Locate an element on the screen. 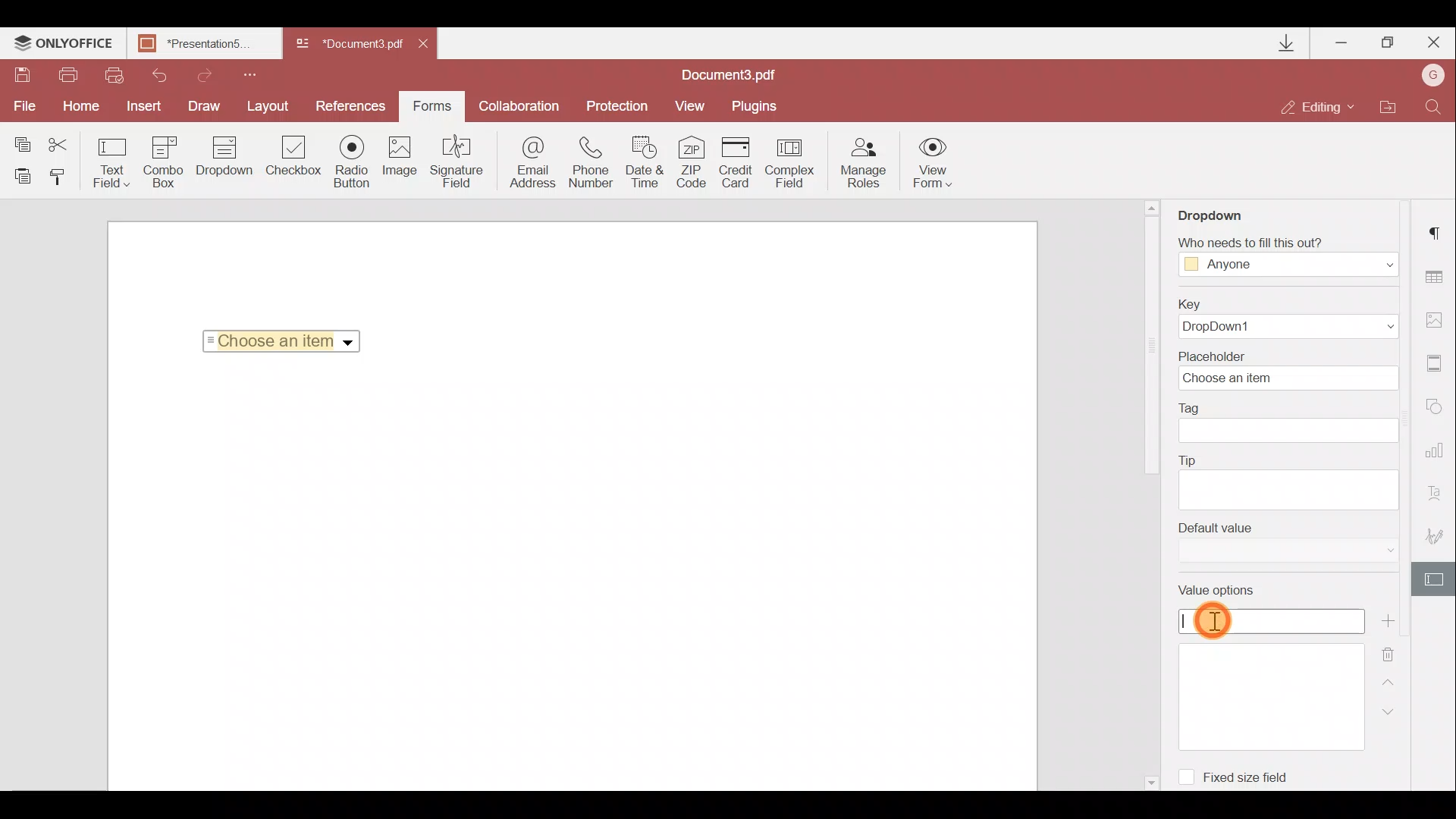 This screenshot has height=819, width=1456. Add new value is located at coordinates (1394, 621).